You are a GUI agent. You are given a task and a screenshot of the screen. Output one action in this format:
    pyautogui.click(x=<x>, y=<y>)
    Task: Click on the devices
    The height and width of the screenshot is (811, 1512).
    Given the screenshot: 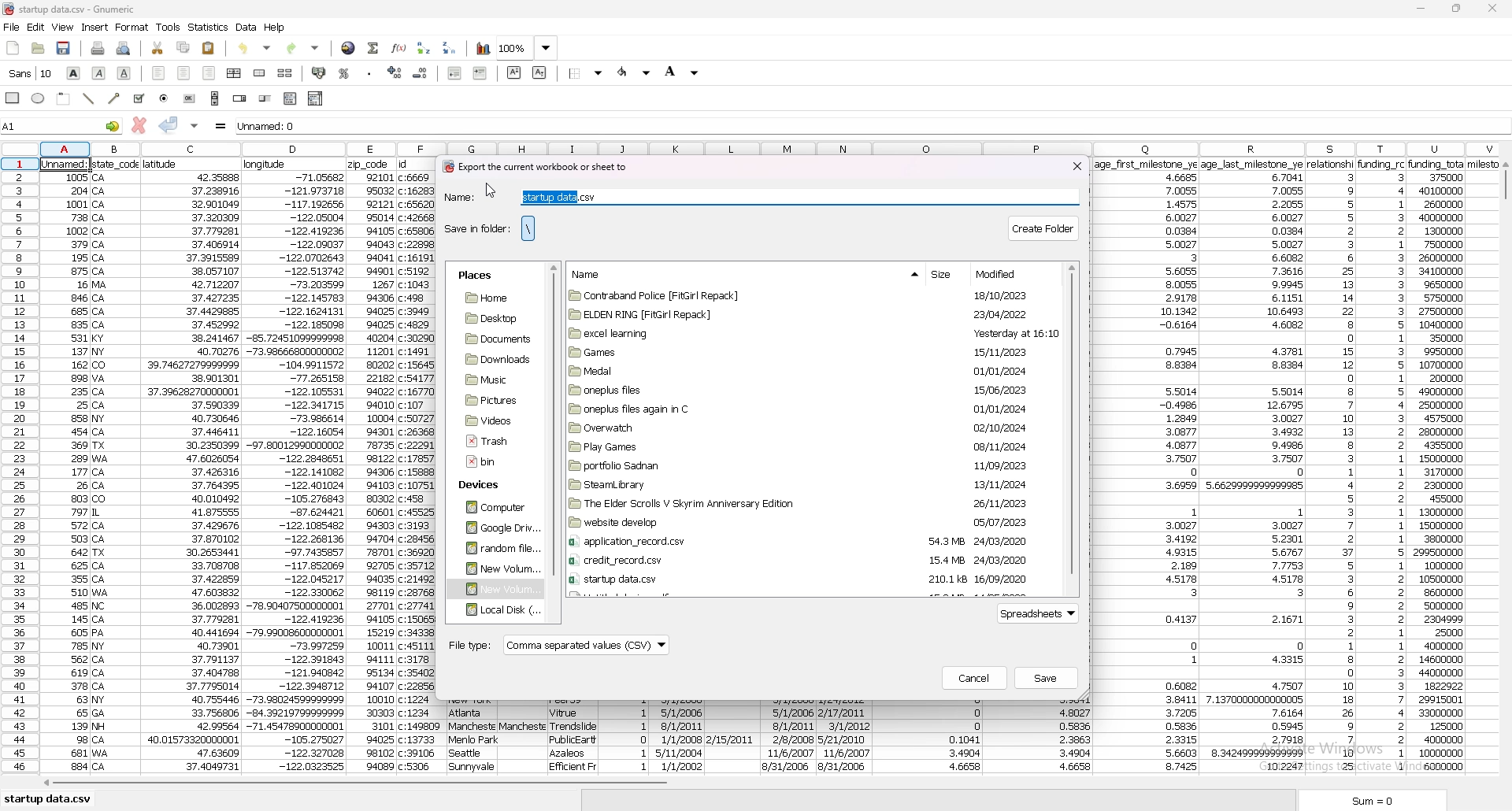 What is the action you would take?
    pyautogui.click(x=484, y=486)
    